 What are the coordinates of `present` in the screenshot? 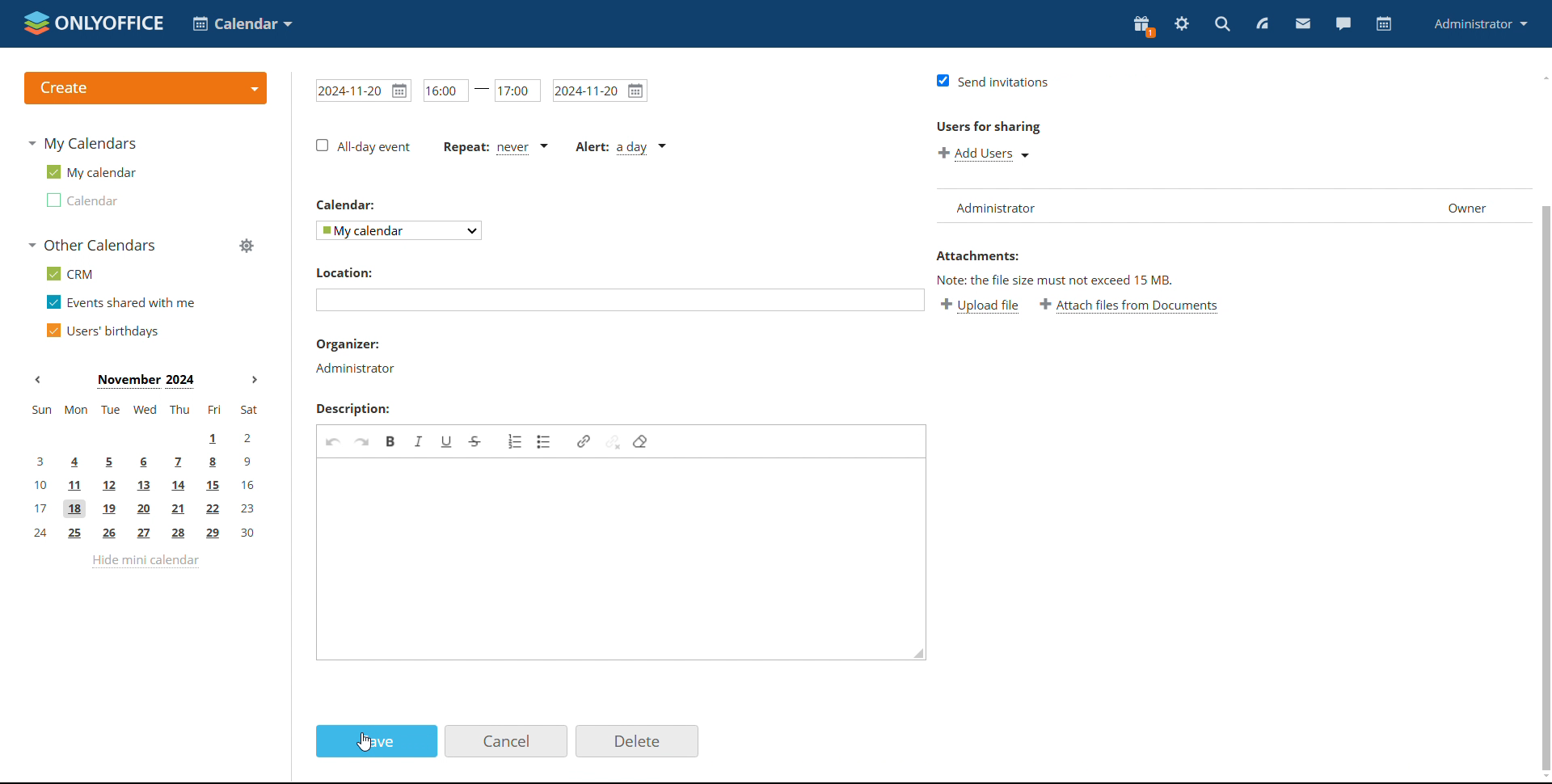 It's located at (1144, 25).